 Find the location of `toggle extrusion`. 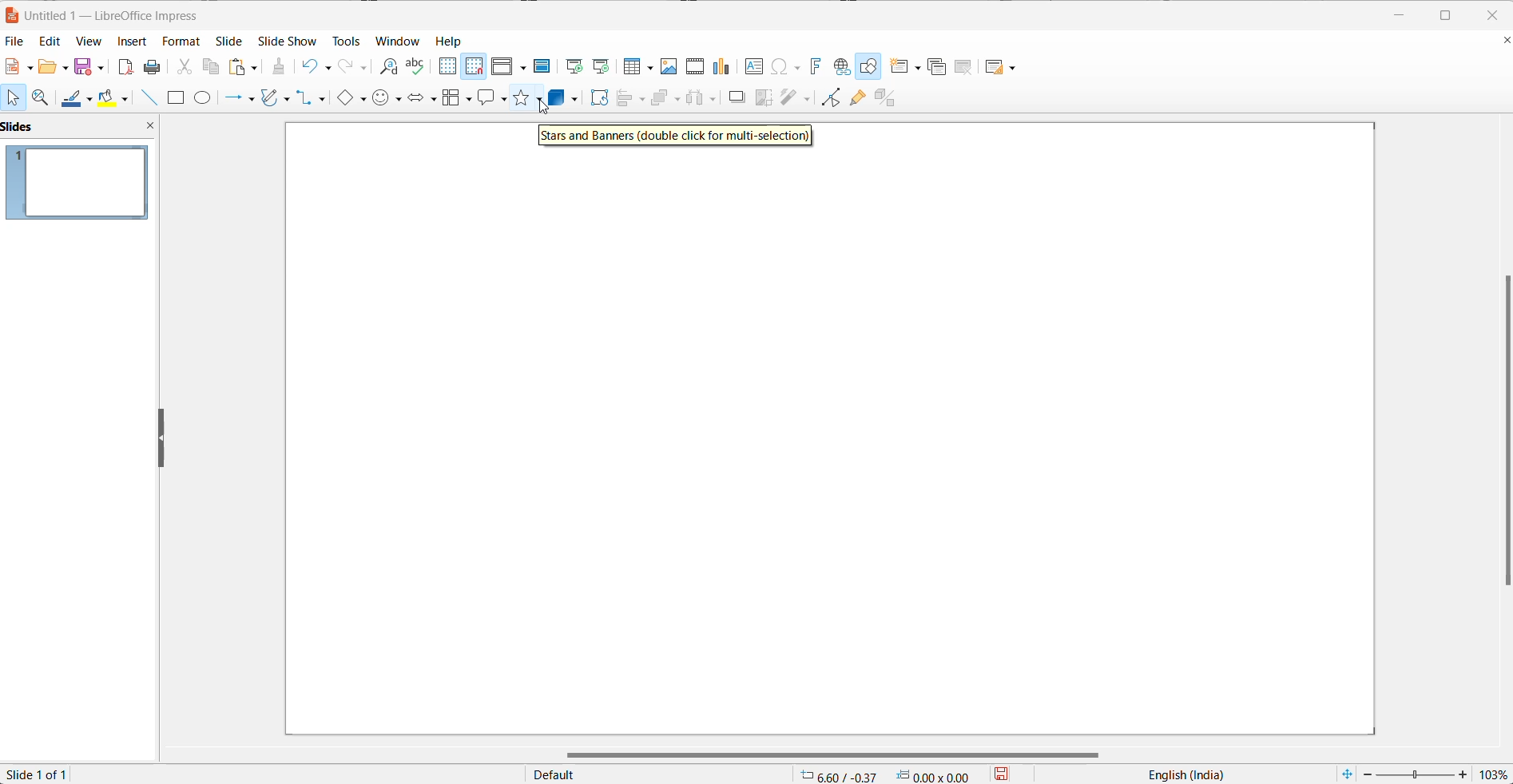

toggle extrusion is located at coordinates (888, 97).